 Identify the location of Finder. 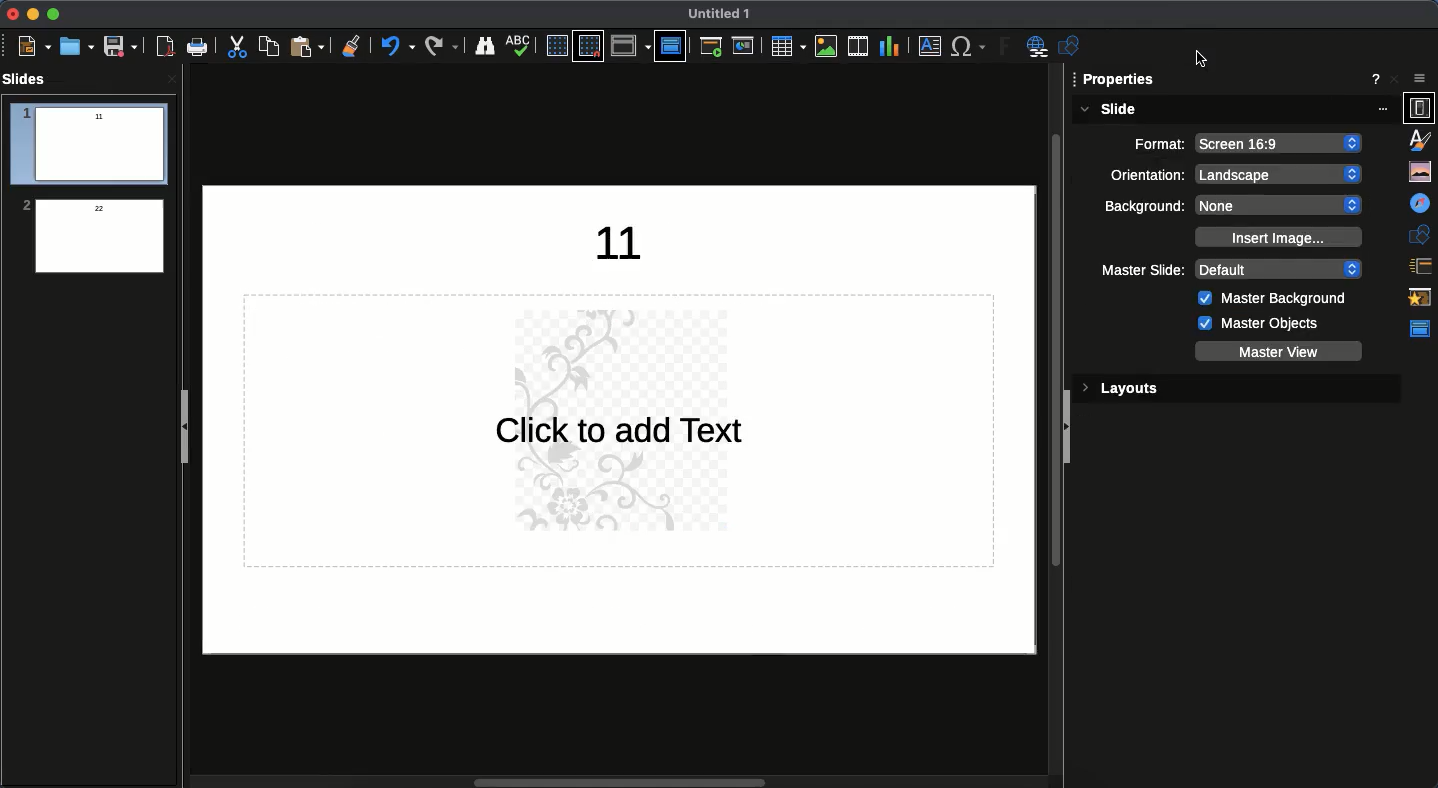
(485, 47).